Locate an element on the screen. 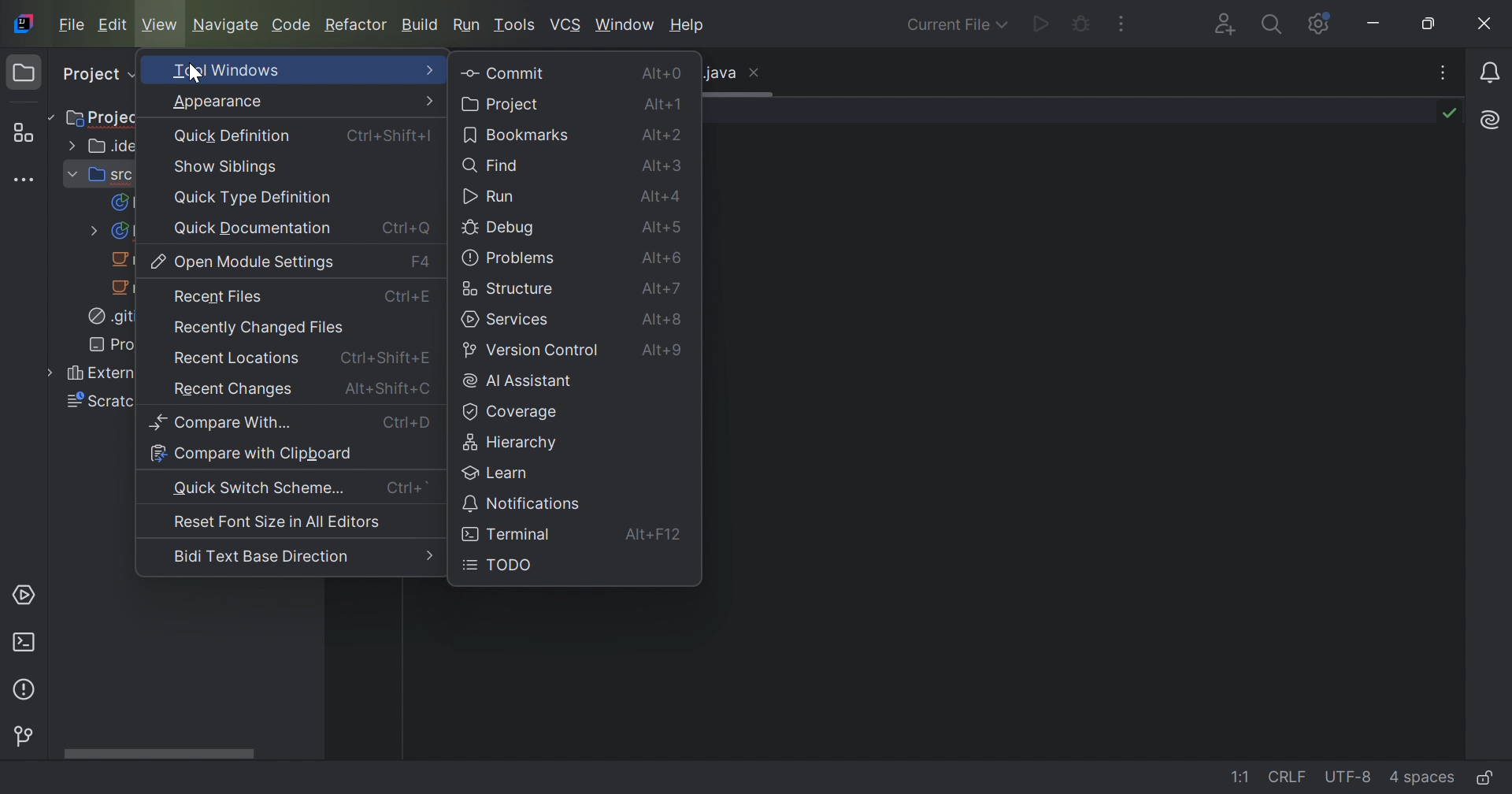 This screenshot has width=1512, height=794. Structure is located at coordinates (28, 132).